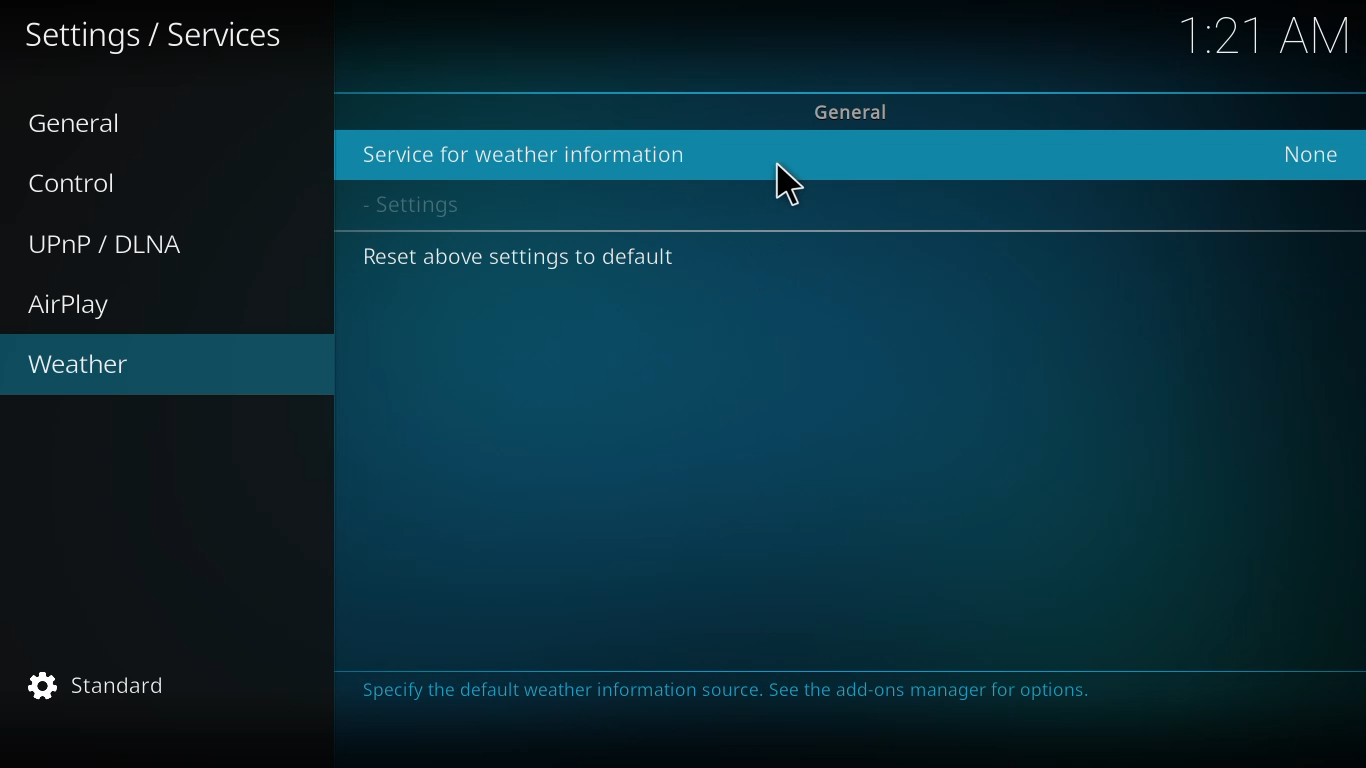 Image resolution: width=1366 pixels, height=768 pixels. Describe the element at coordinates (83, 124) in the screenshot. I see `general` at that location.